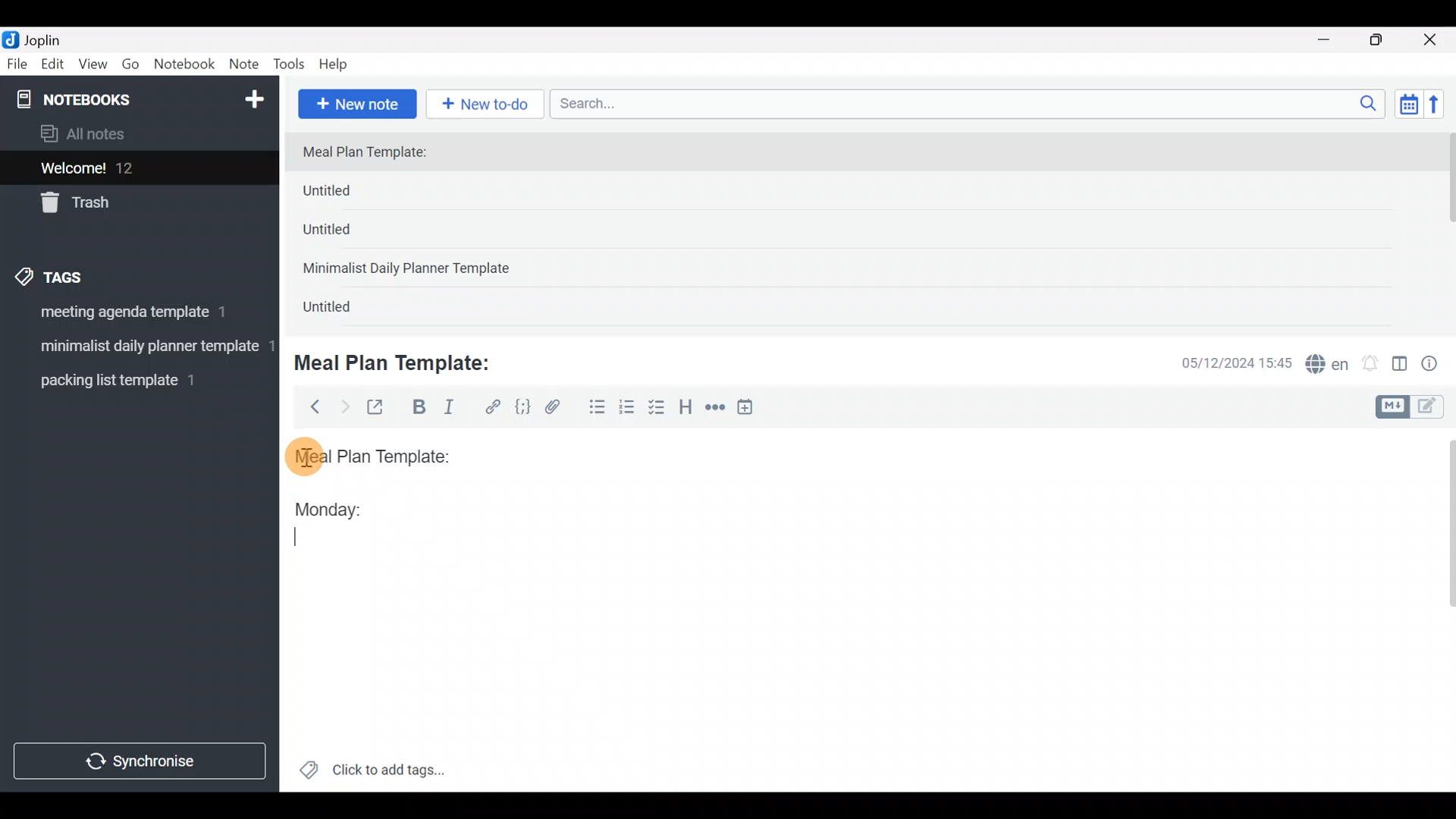  Describe the element at coordinates (402, 361) in the screenshot. I see `Meal Plan Template:` at that location.